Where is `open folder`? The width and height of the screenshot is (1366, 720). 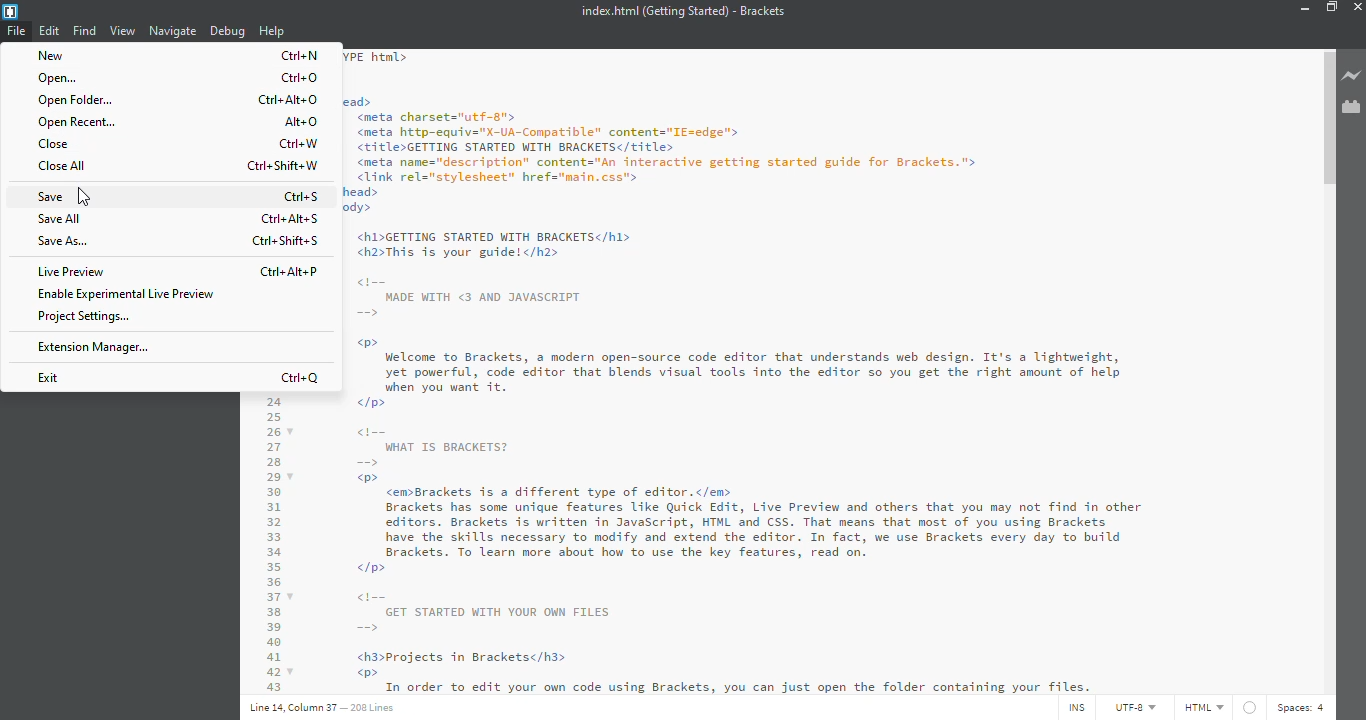 open folder is located at coordinates (81, 100).